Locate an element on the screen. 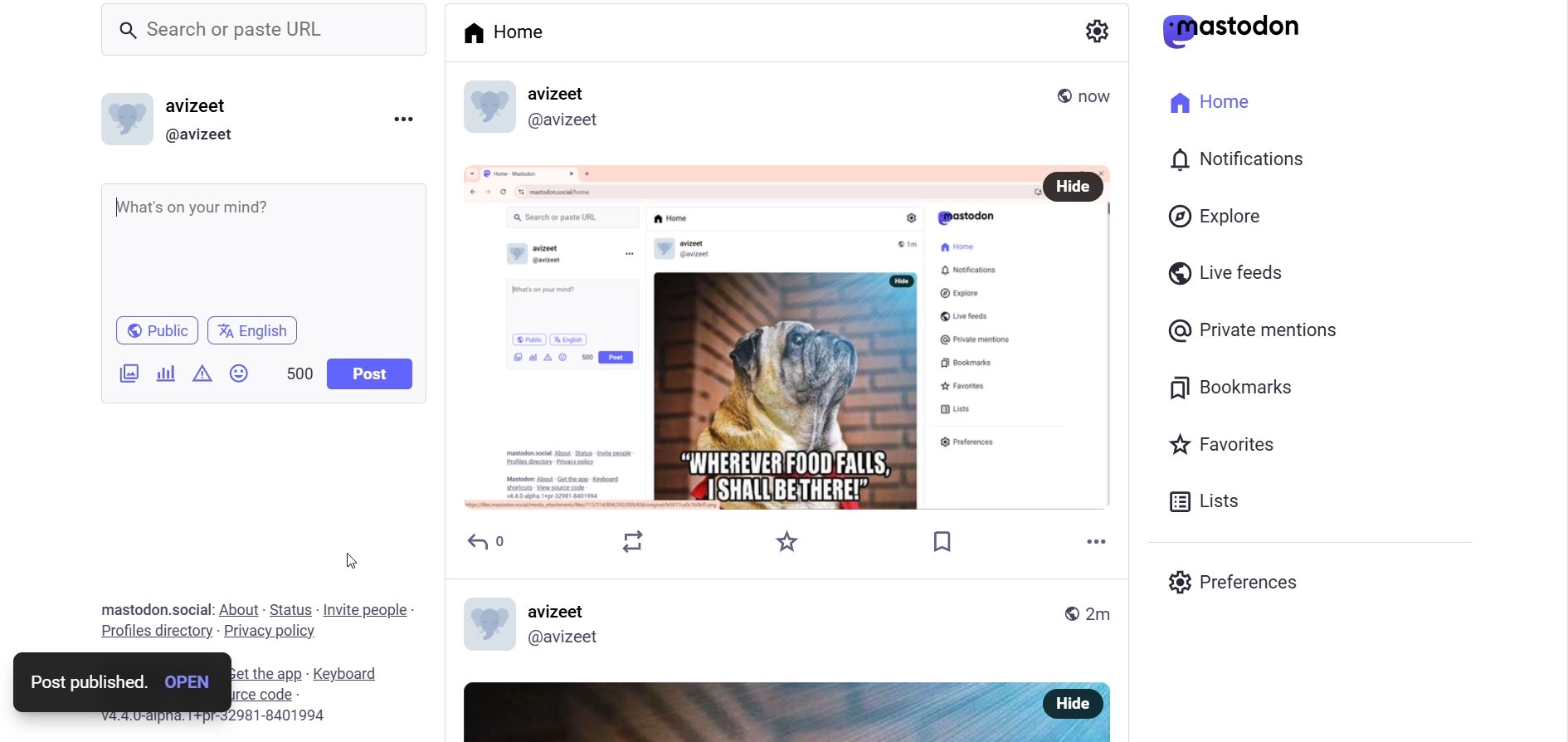 This screenshot has height=742, width=1568. setting is located at coordinates (1097, 33).